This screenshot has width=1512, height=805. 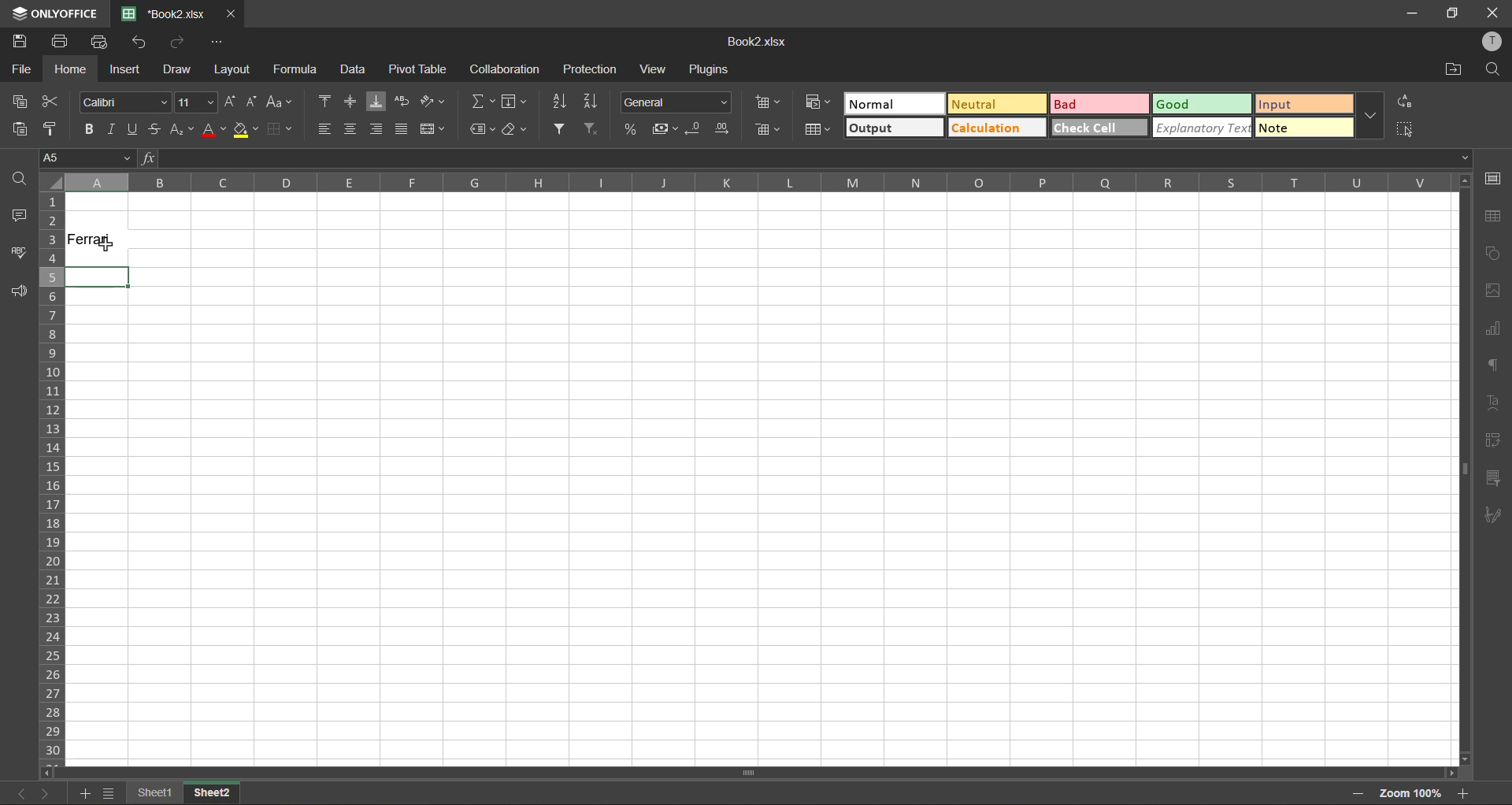 What do you see at coordinates (1455, 13) in the screenshot?
I see `maximize` at bounding box center [1455, 13].